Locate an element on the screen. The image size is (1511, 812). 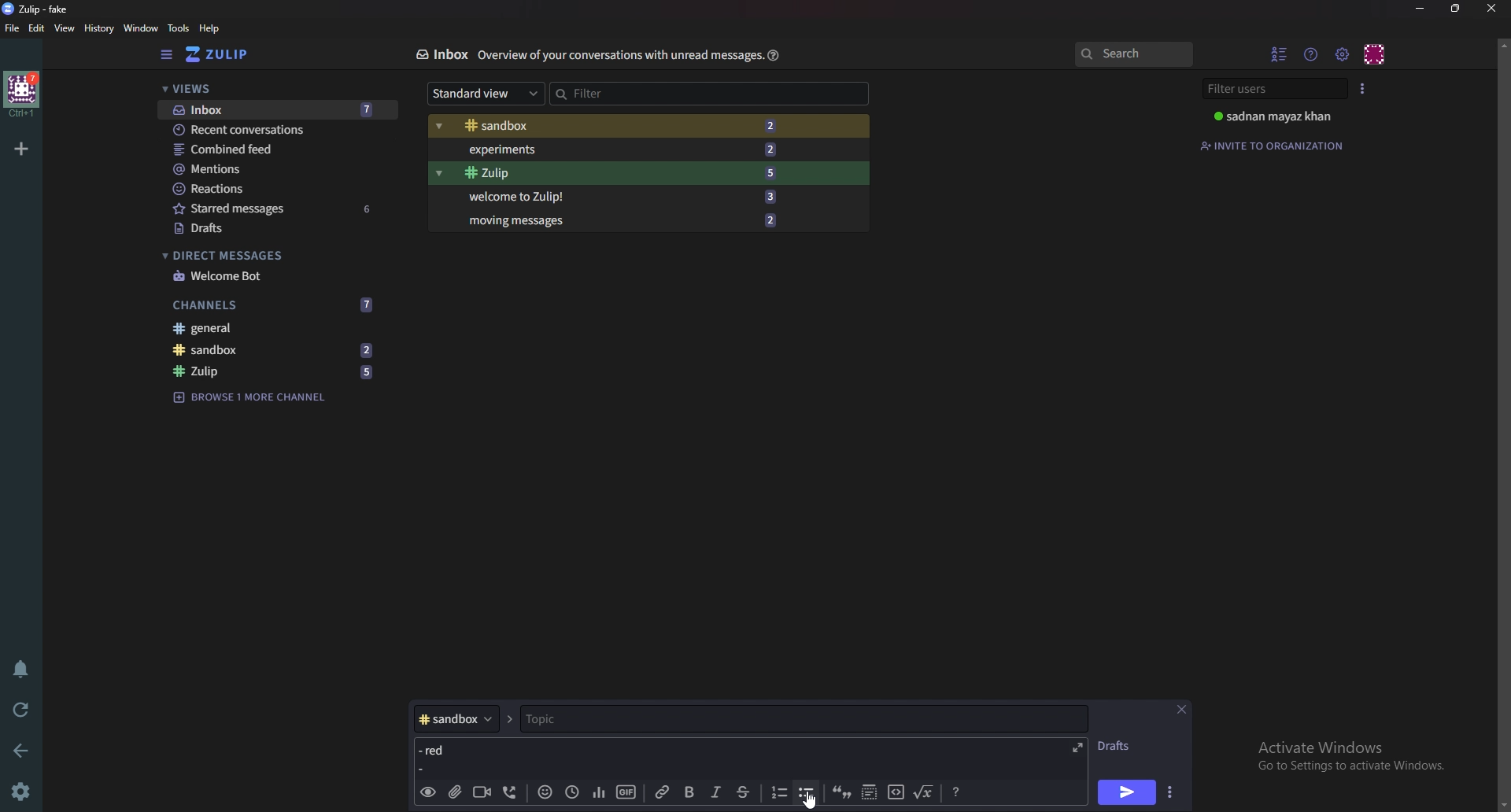
Channels is located at coordinates (274, 305).